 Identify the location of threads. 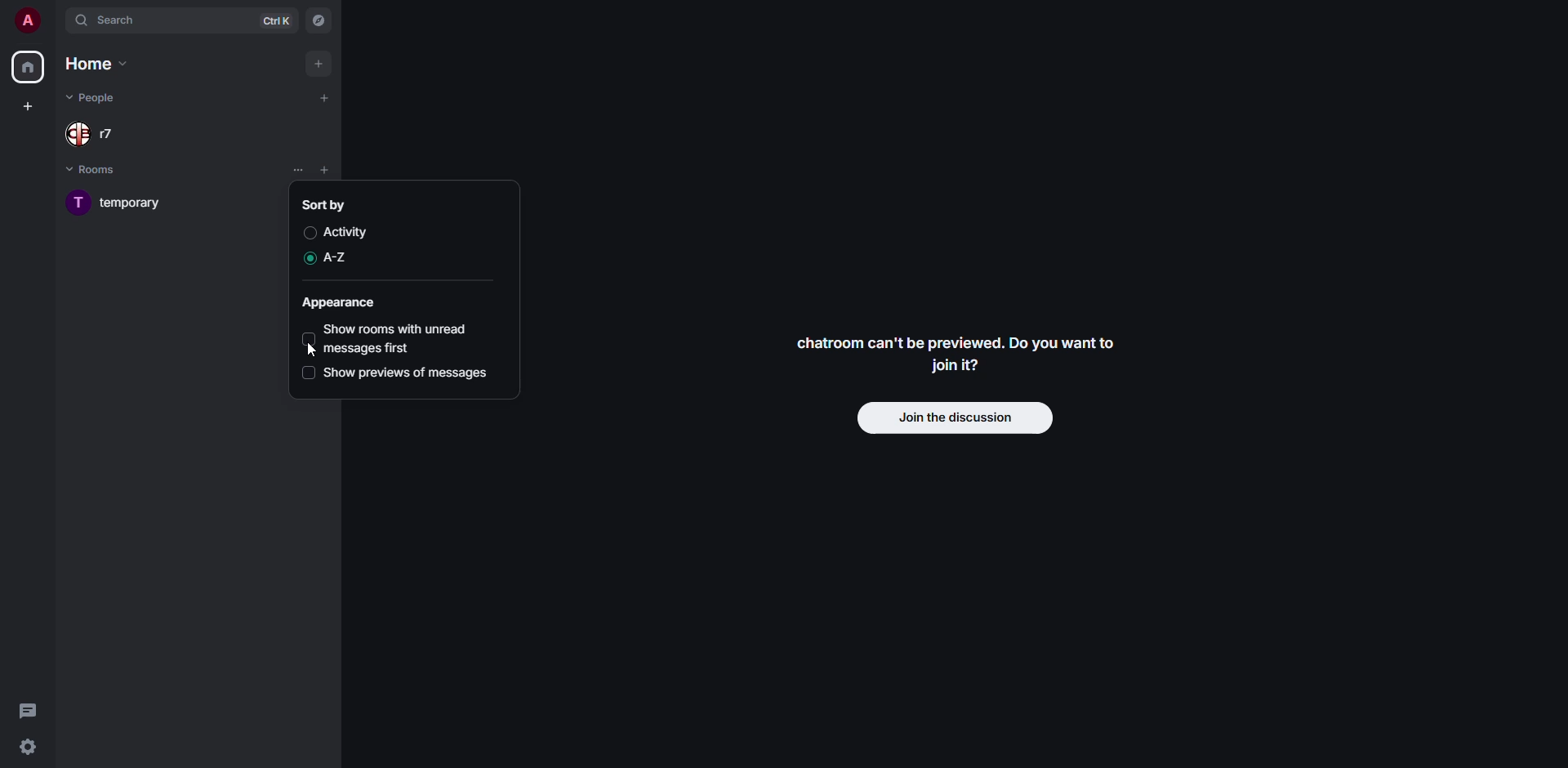
(29, 710).